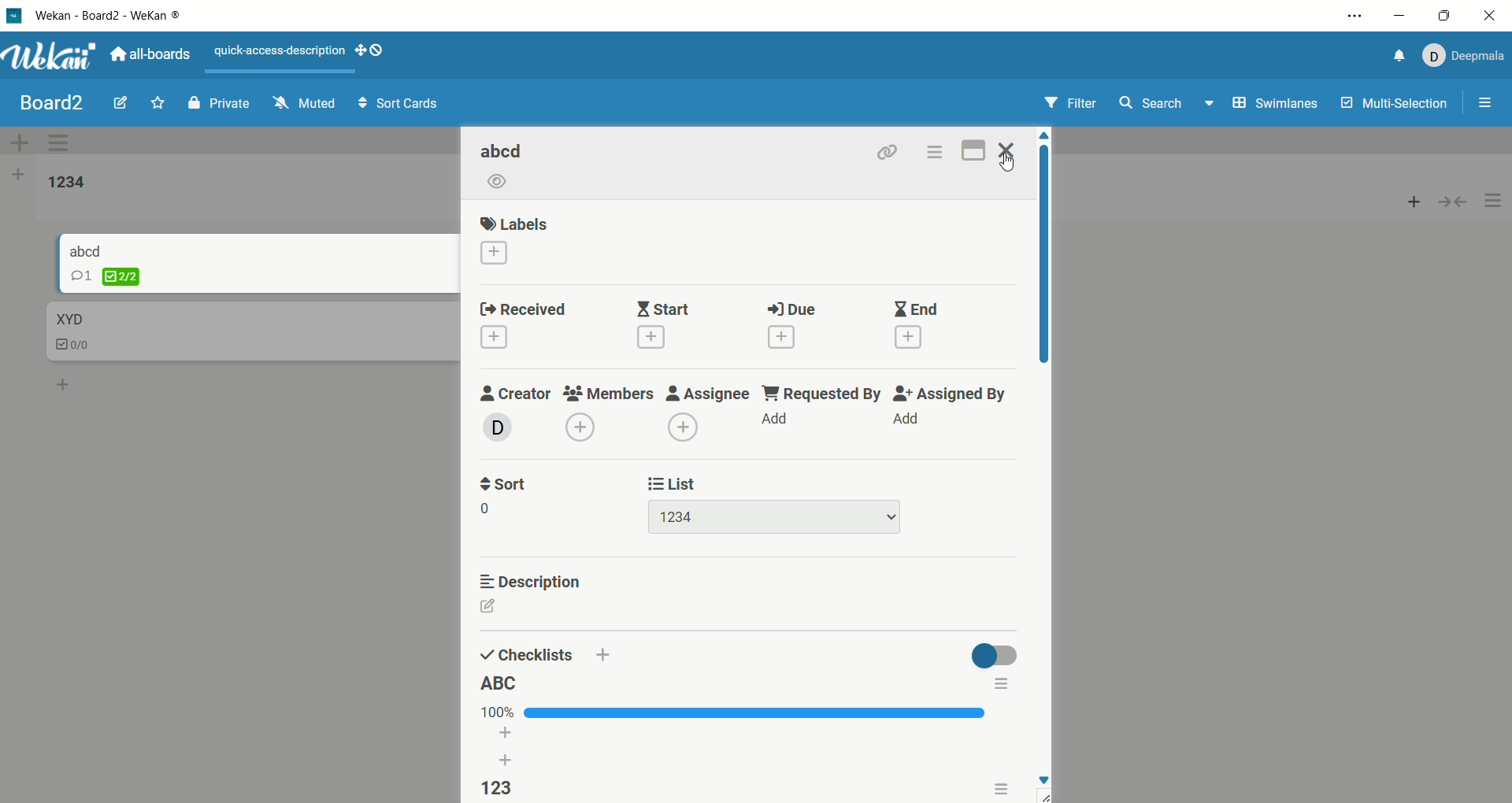 This screenshot has height=803, width=1512. Describe the element at coordinates (498, 786) in the screenshot. I see `checklist` at that location.